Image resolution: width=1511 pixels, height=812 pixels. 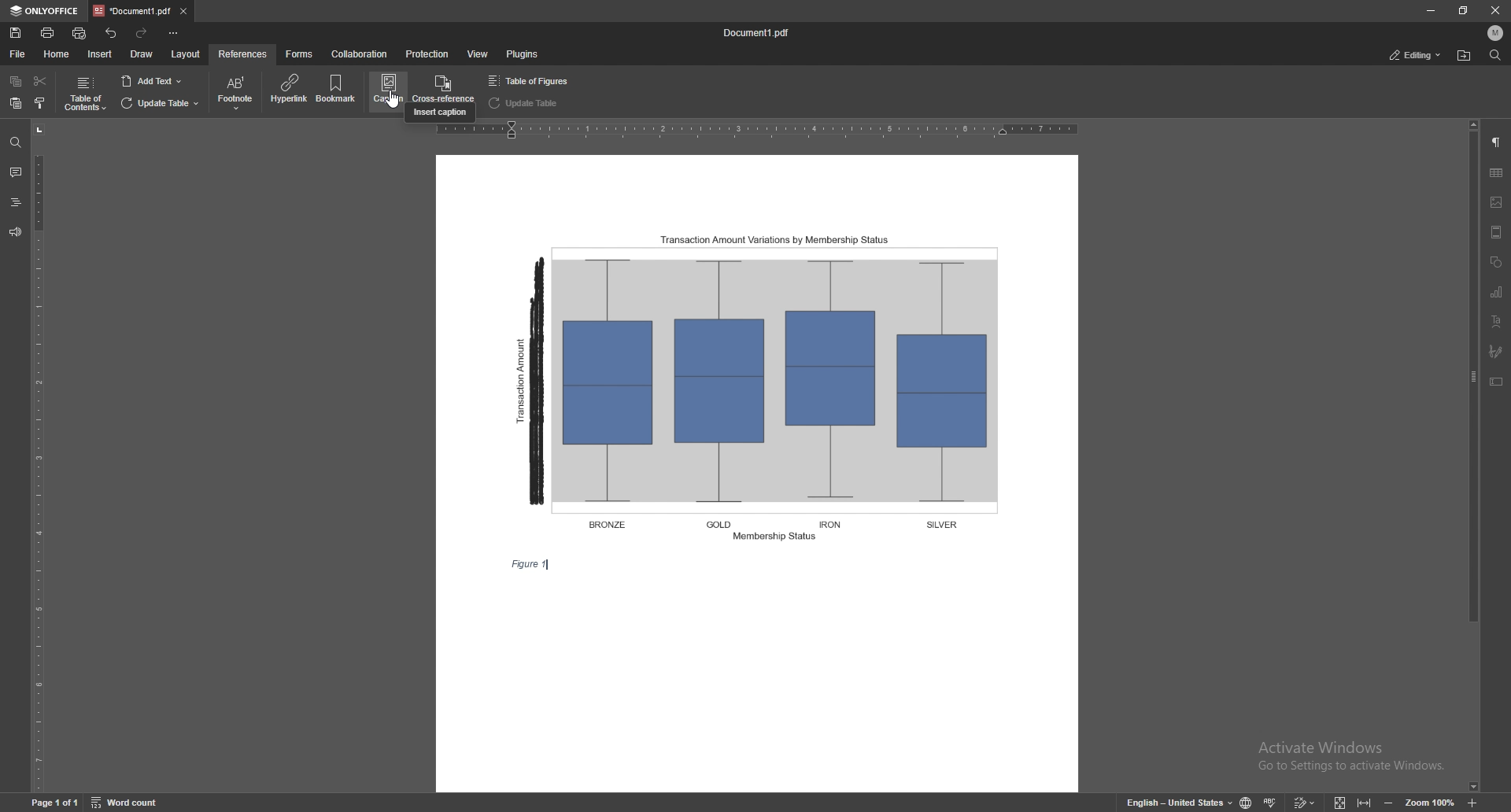 I want to click on update table, so click(x=526, y=103).